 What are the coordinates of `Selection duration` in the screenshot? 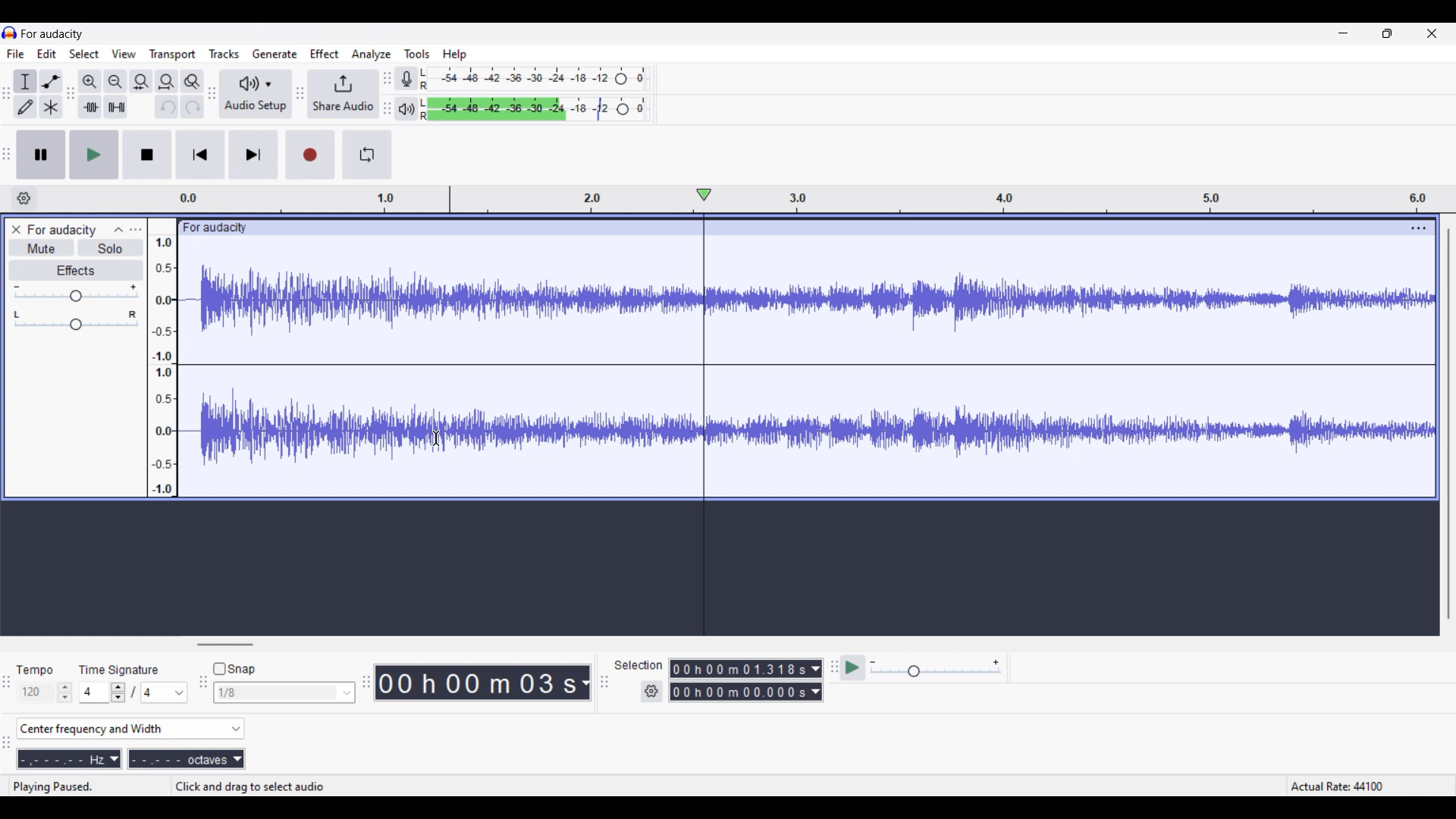 It's located at (740, 681).